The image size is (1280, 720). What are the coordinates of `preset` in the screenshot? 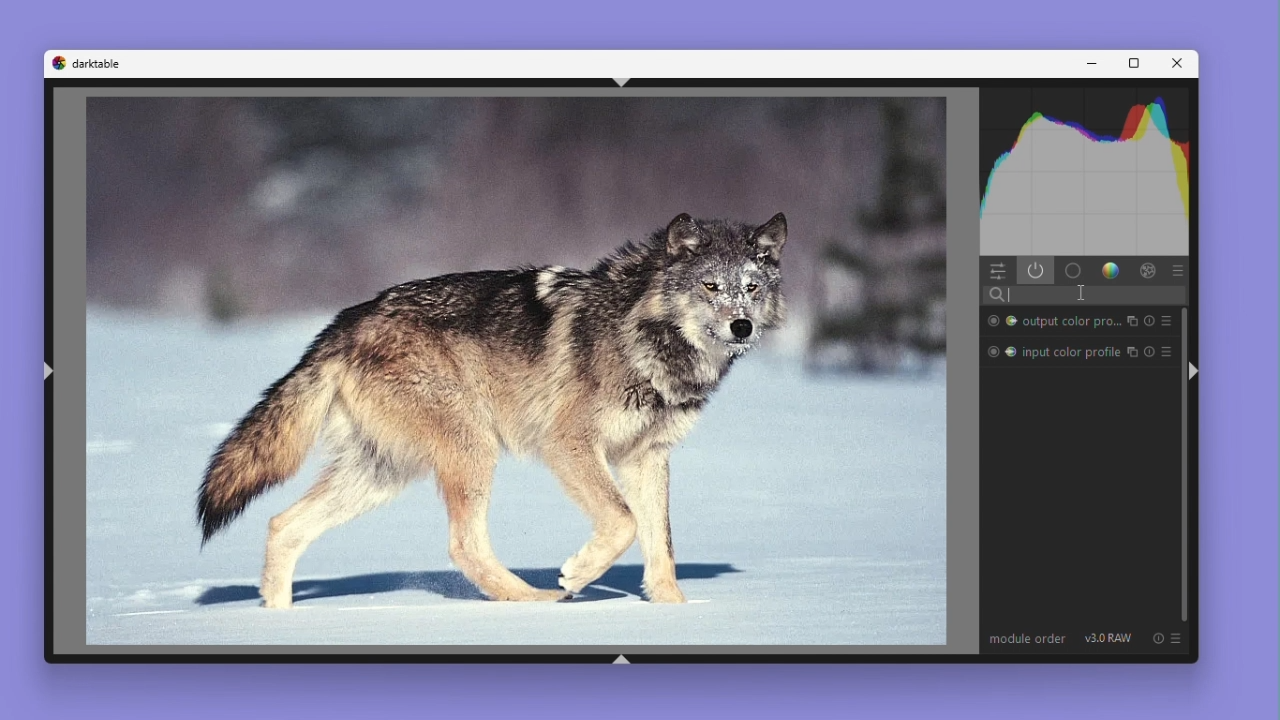 It's located at (1165, 352).